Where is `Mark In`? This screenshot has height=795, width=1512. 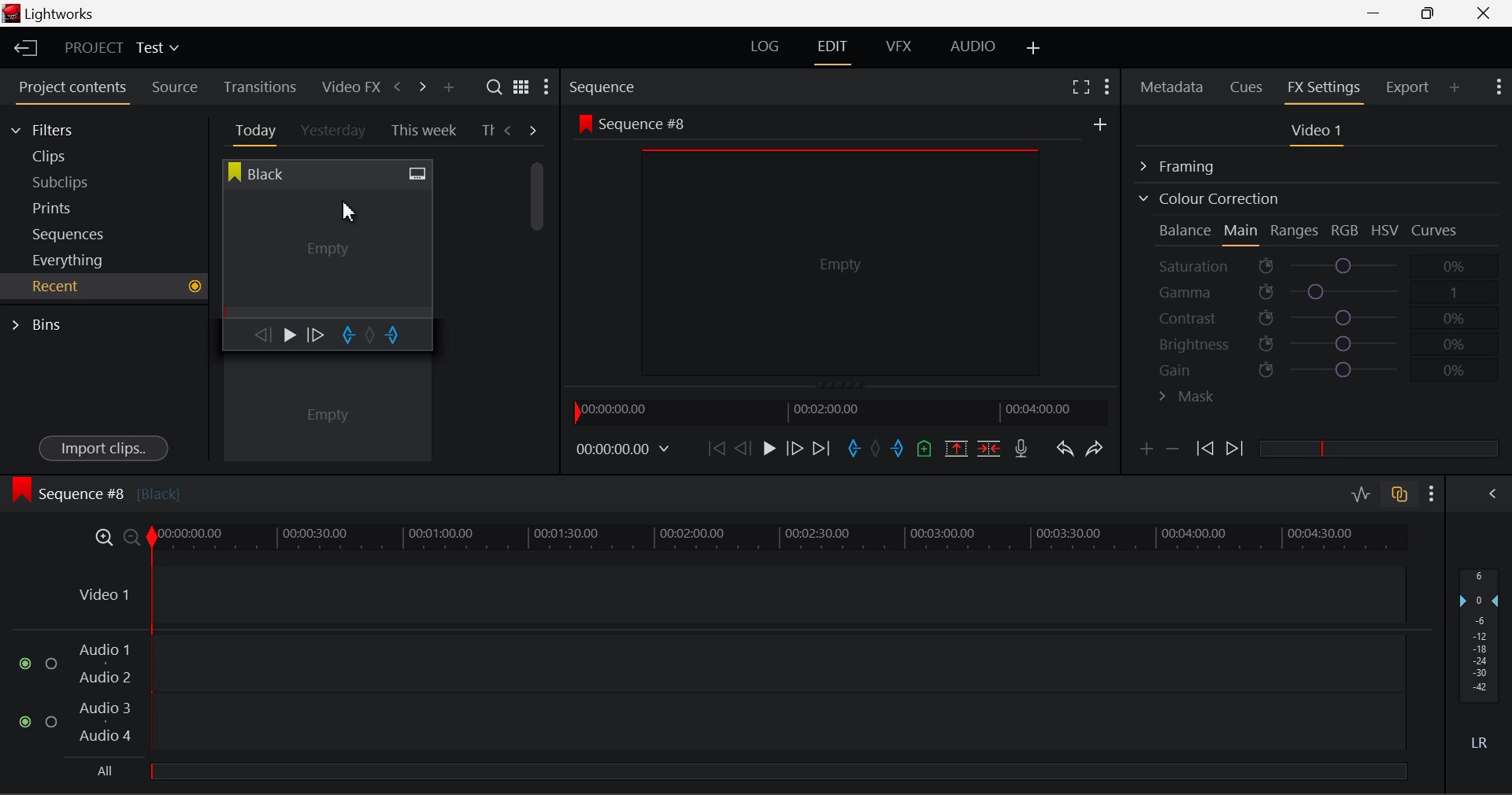
Mark In is located at coordinates (855, 449).